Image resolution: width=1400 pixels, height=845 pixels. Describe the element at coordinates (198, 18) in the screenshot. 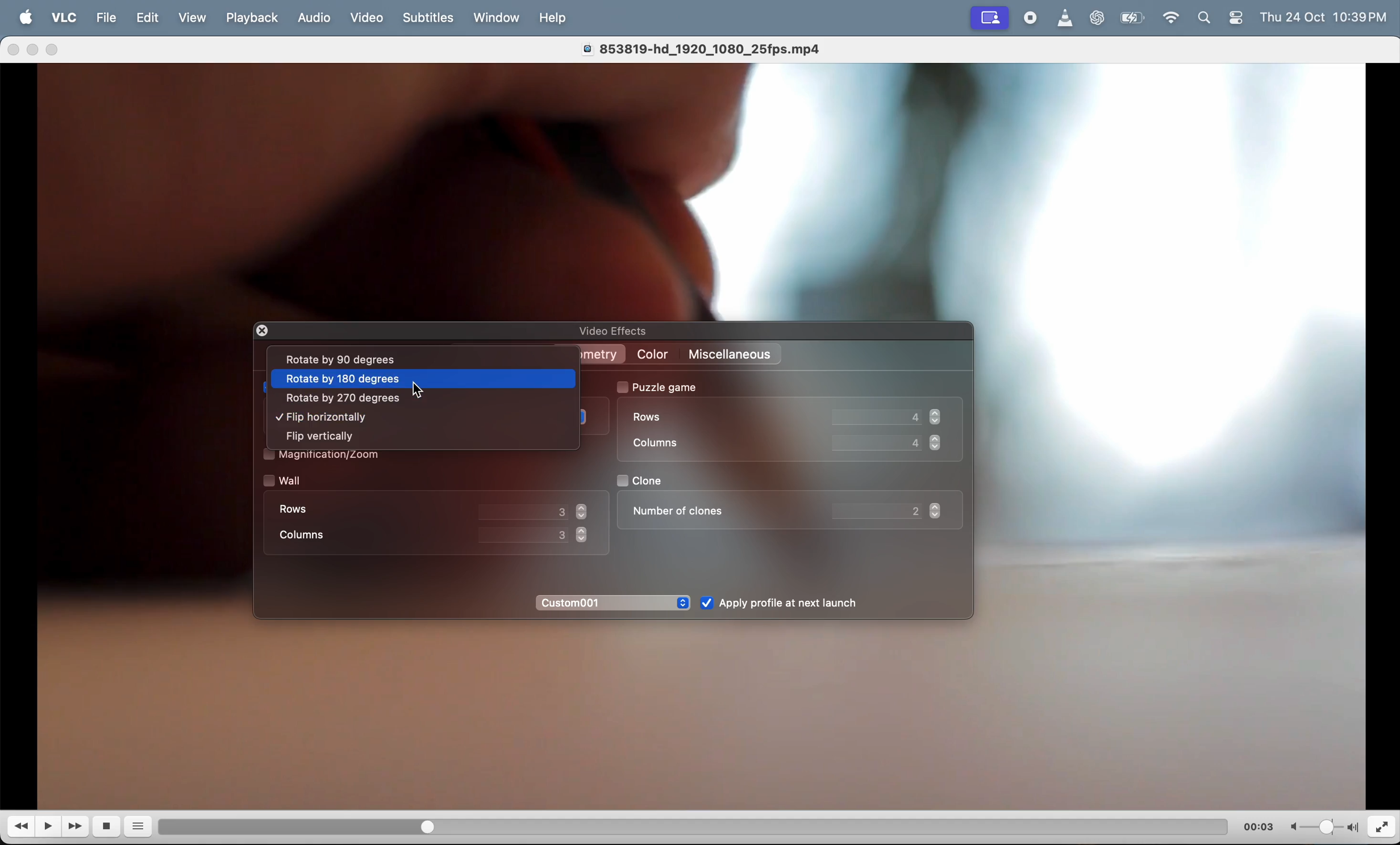

I see `view` at that location.